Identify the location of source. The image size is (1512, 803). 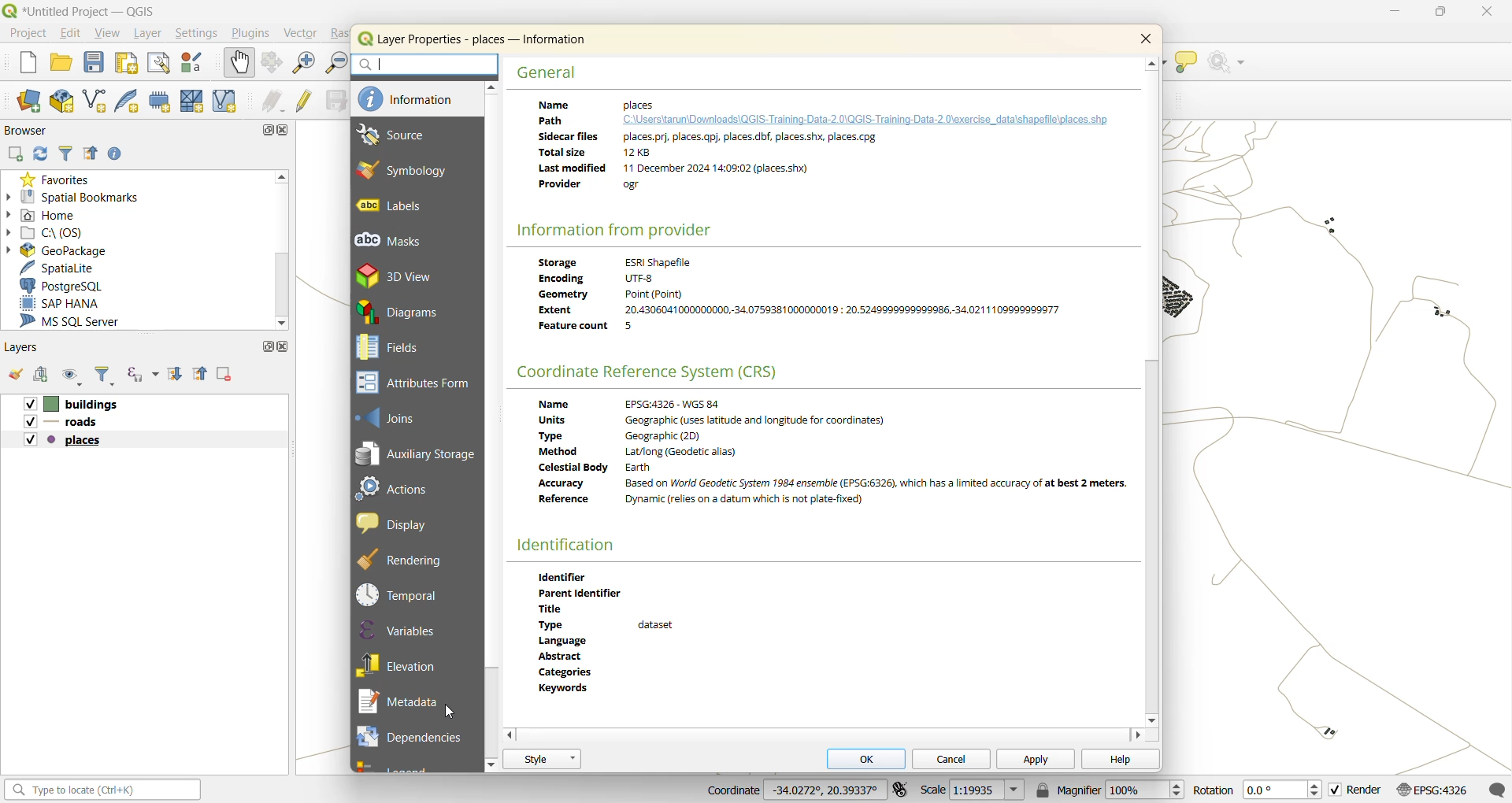
(410, 136).